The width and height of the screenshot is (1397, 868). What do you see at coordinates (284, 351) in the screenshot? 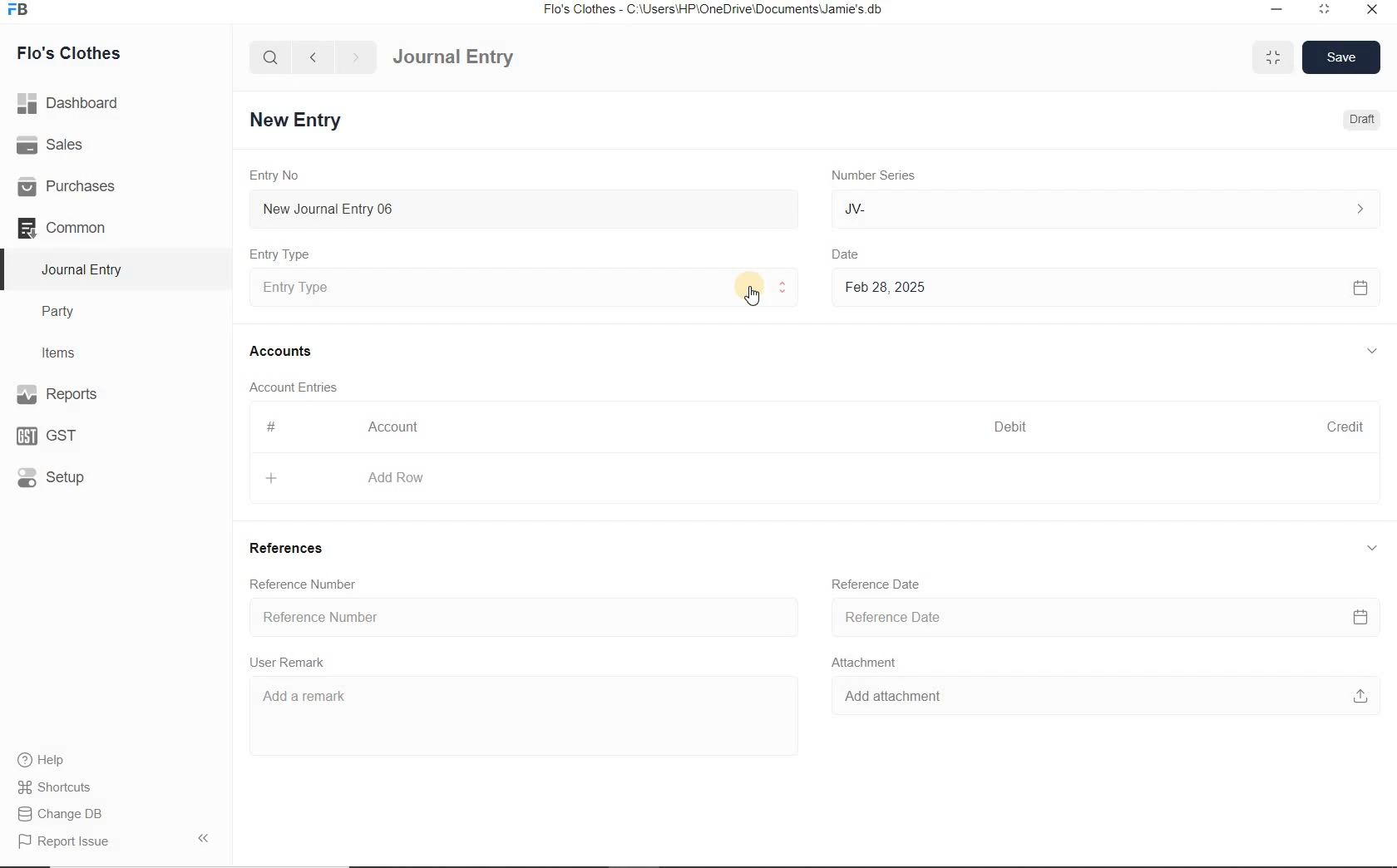
I see `Accounts` at bounding box center [284, 351].